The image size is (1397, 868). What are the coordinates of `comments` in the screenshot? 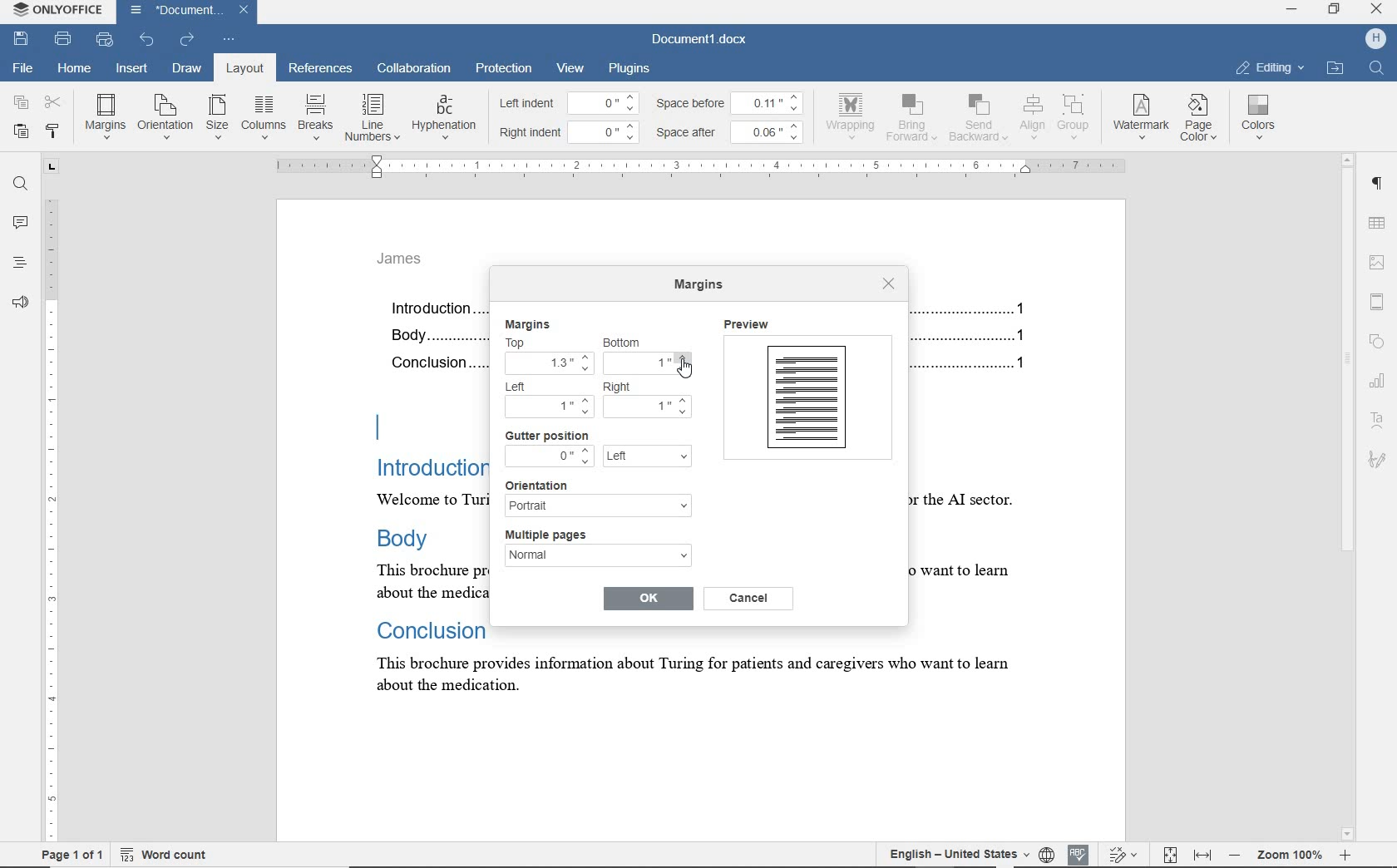 It's located at (20, 223).